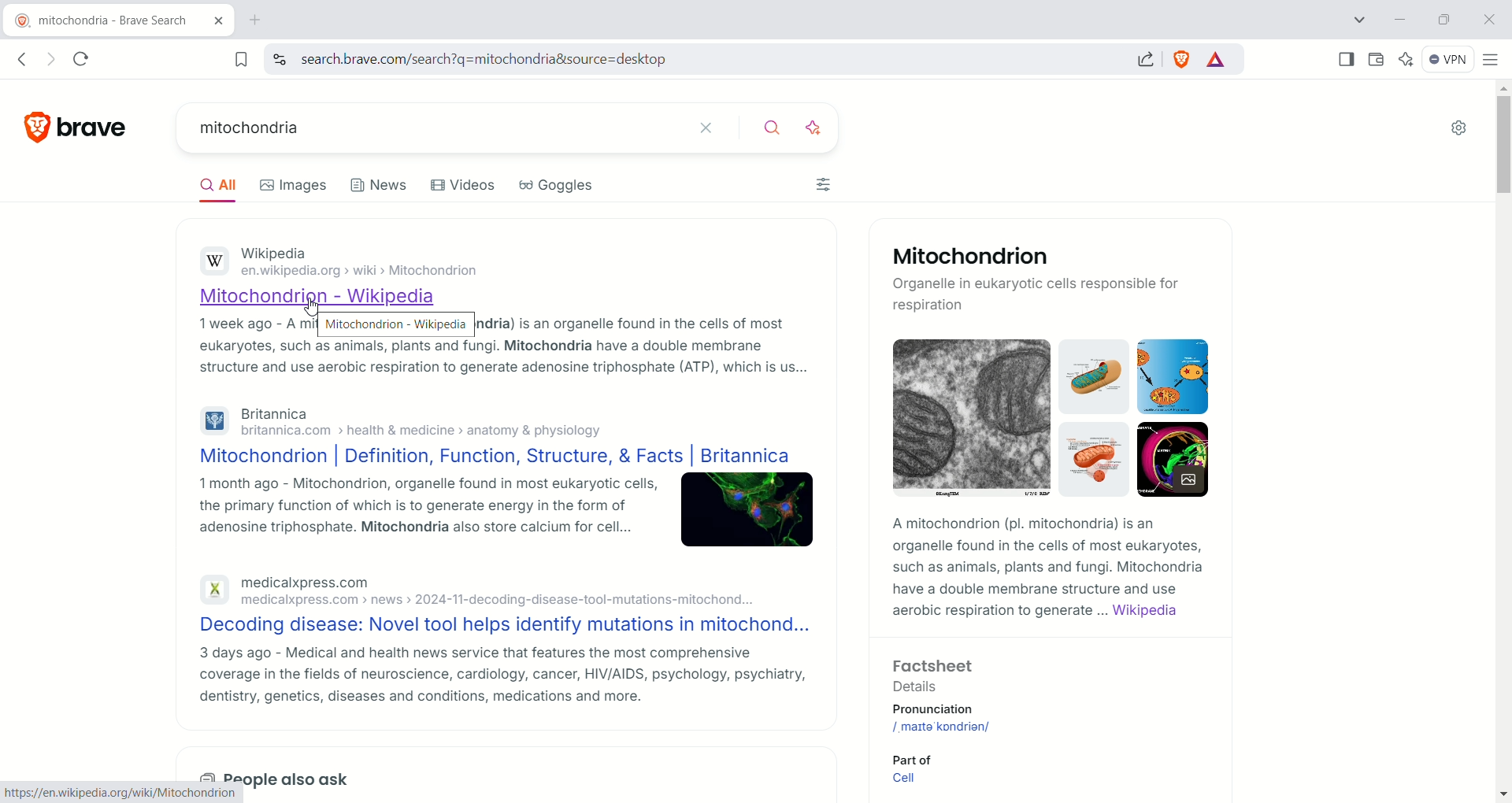  Describe the element at coordinates (35, 128) in the screenshot. I see `brave logo` at that location.